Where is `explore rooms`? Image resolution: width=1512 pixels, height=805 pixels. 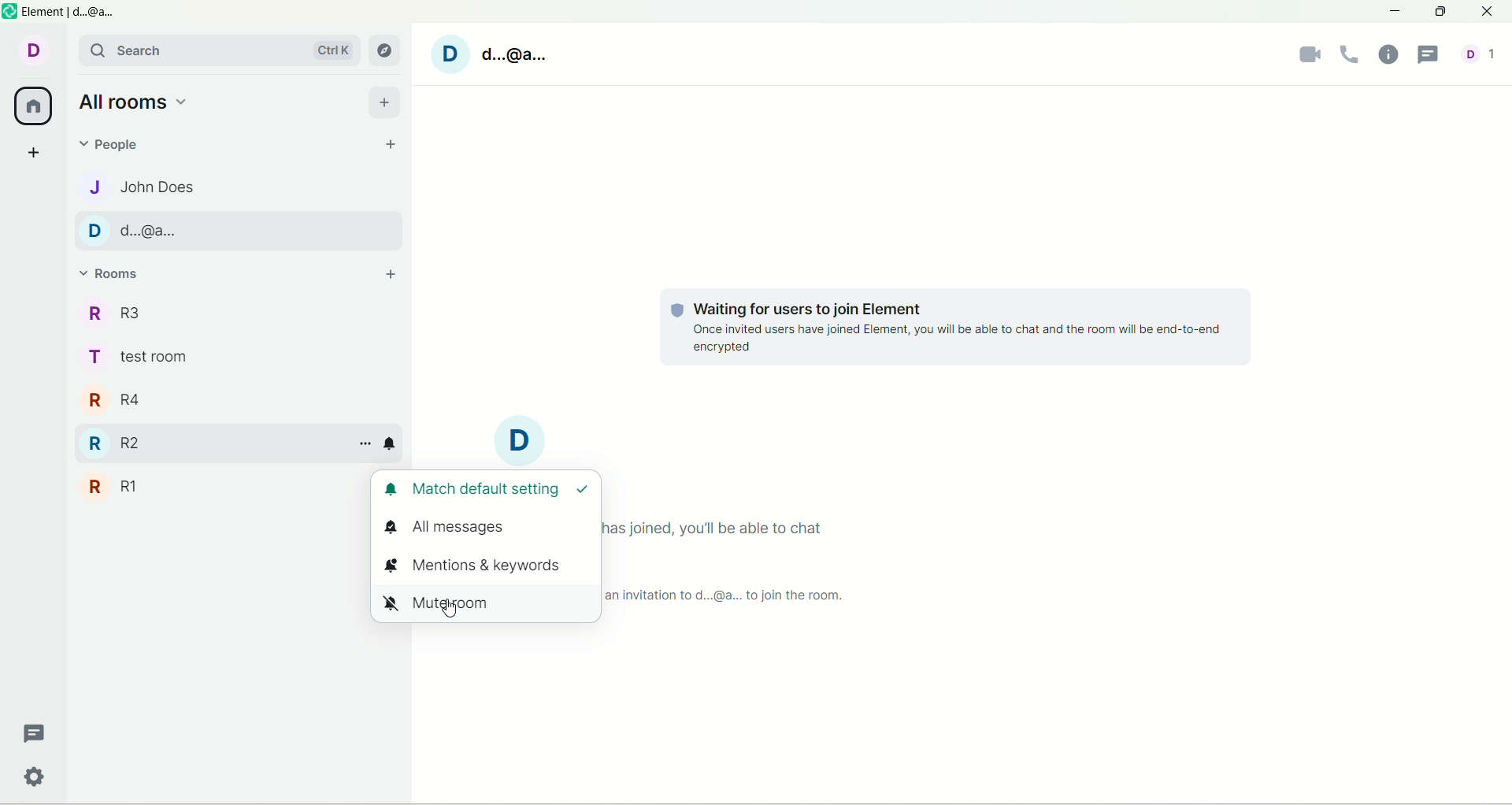 explore rooms is located at coordinates (386, 46).